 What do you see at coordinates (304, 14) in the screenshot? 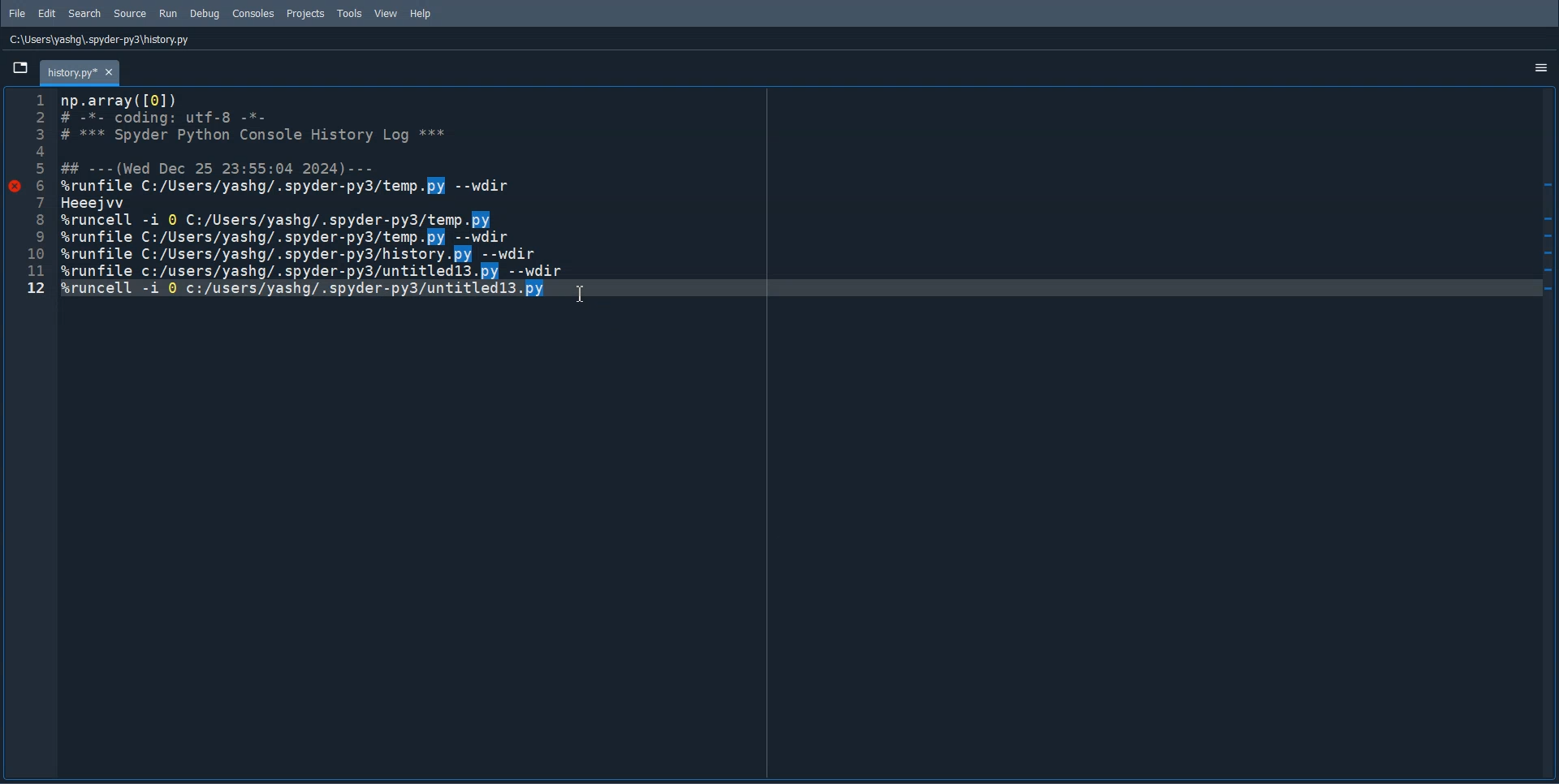
I see `Projects` at bounding box center [304, 14].